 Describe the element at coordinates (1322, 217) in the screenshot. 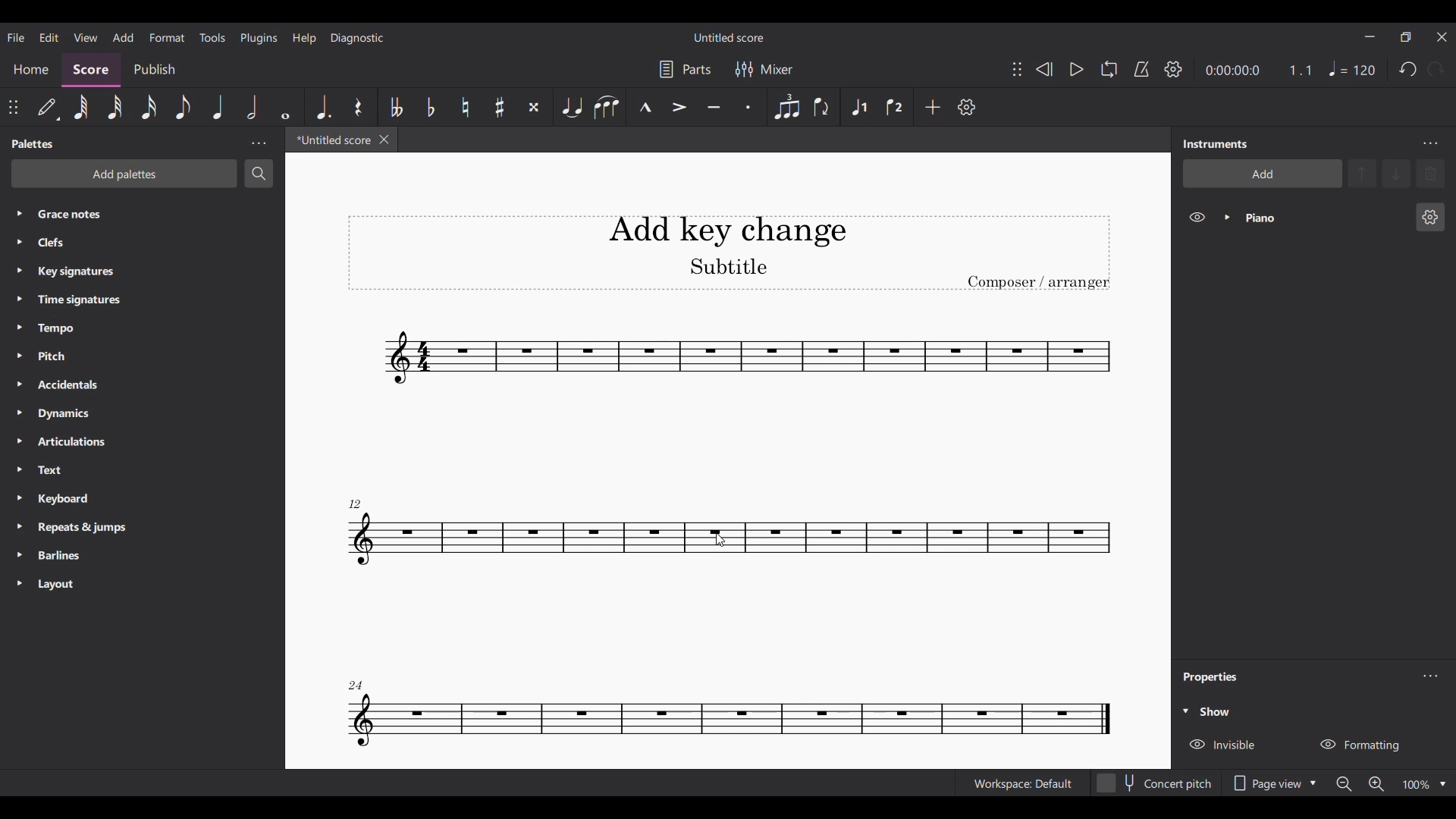

I see `Current instrument` at that location.